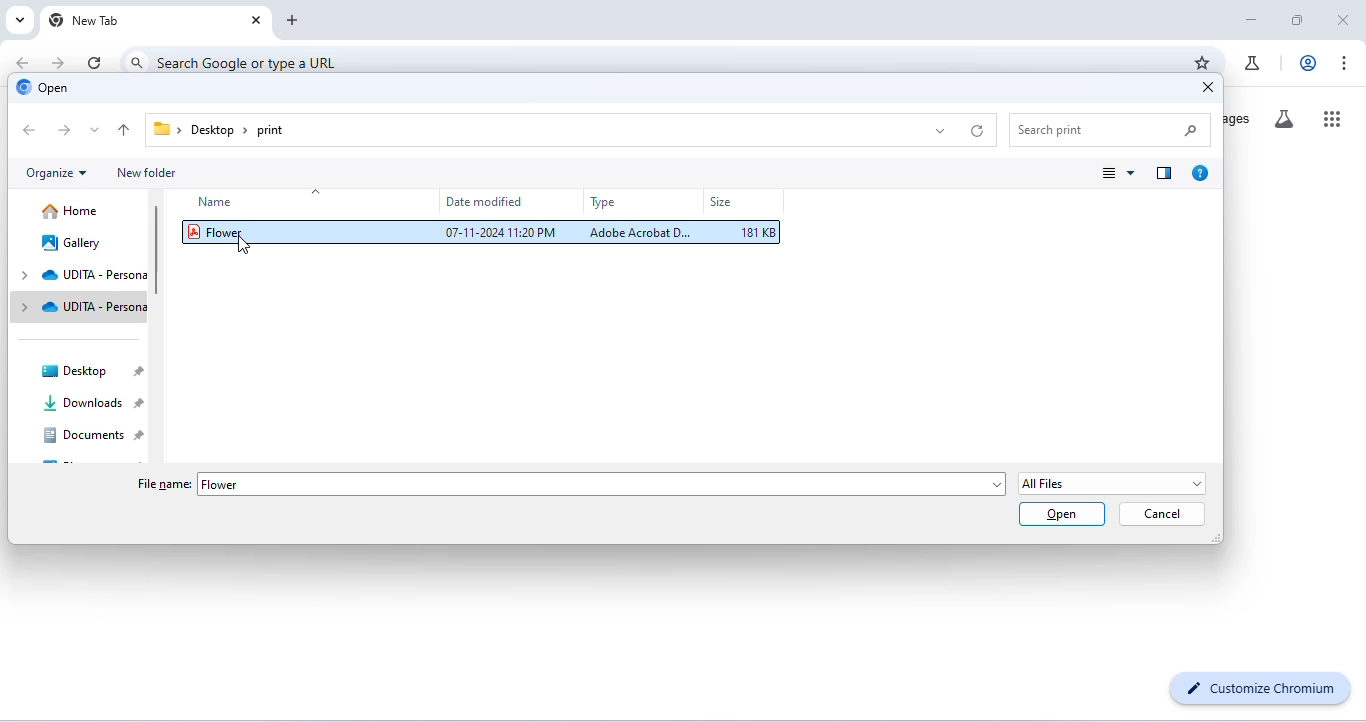 This screenshot has width=1366, height=722. Describe the element at coordinates (71, 212) in the screenshot. I see `home` at that location.